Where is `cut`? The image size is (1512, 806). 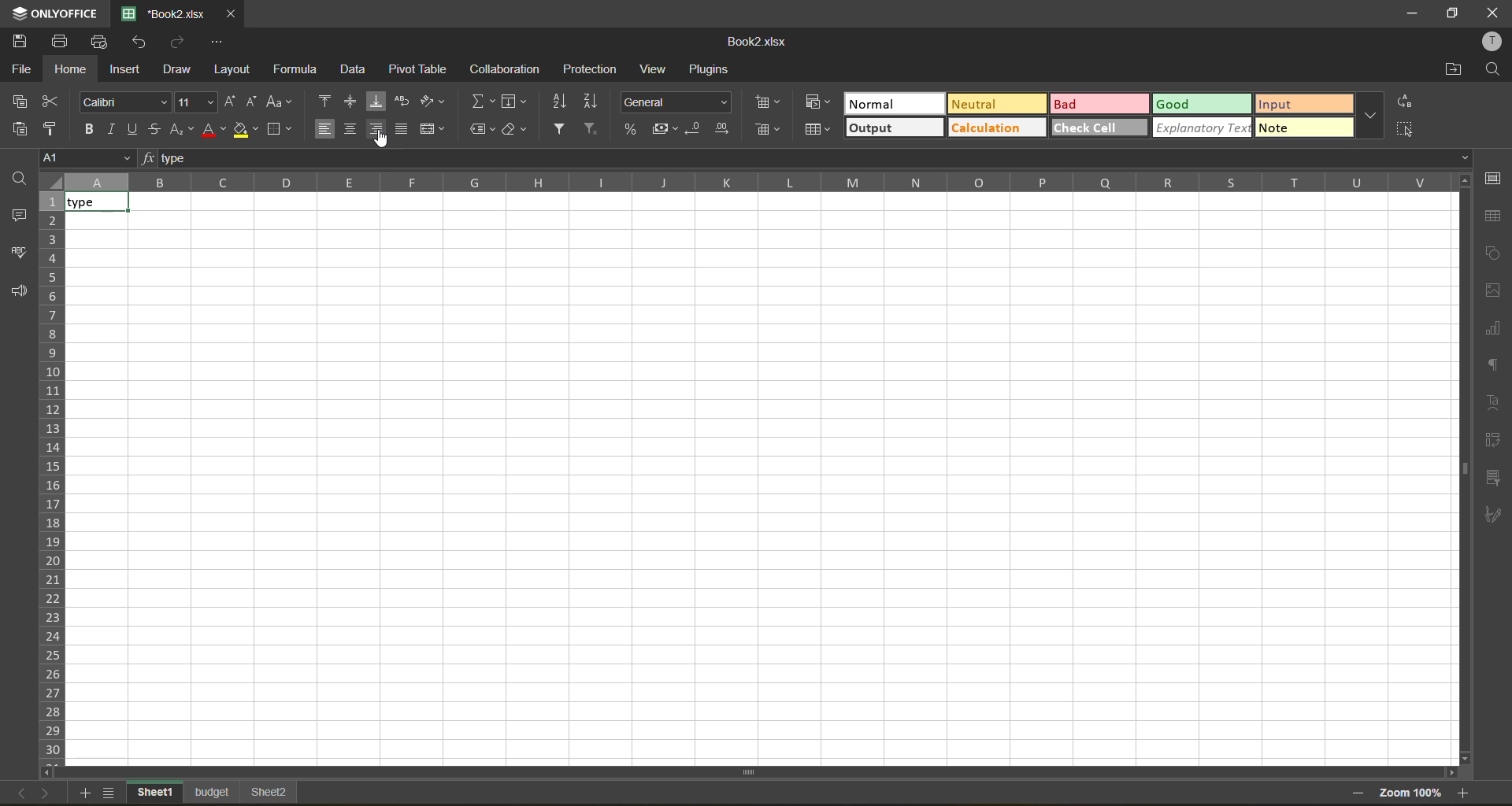
cut is located at coordinates (57, 104).